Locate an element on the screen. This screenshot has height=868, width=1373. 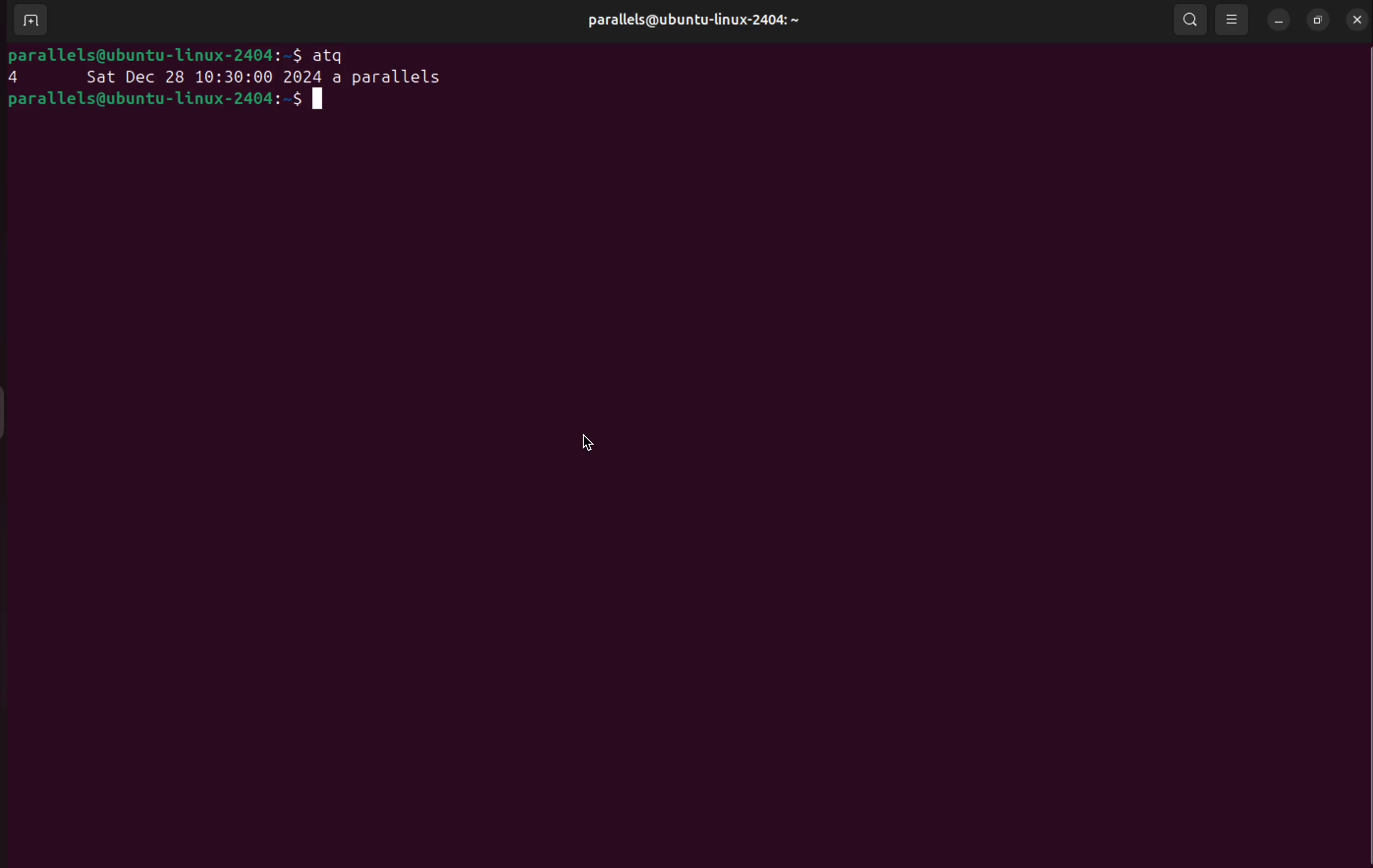
search is located at coordinates (1192, 21).